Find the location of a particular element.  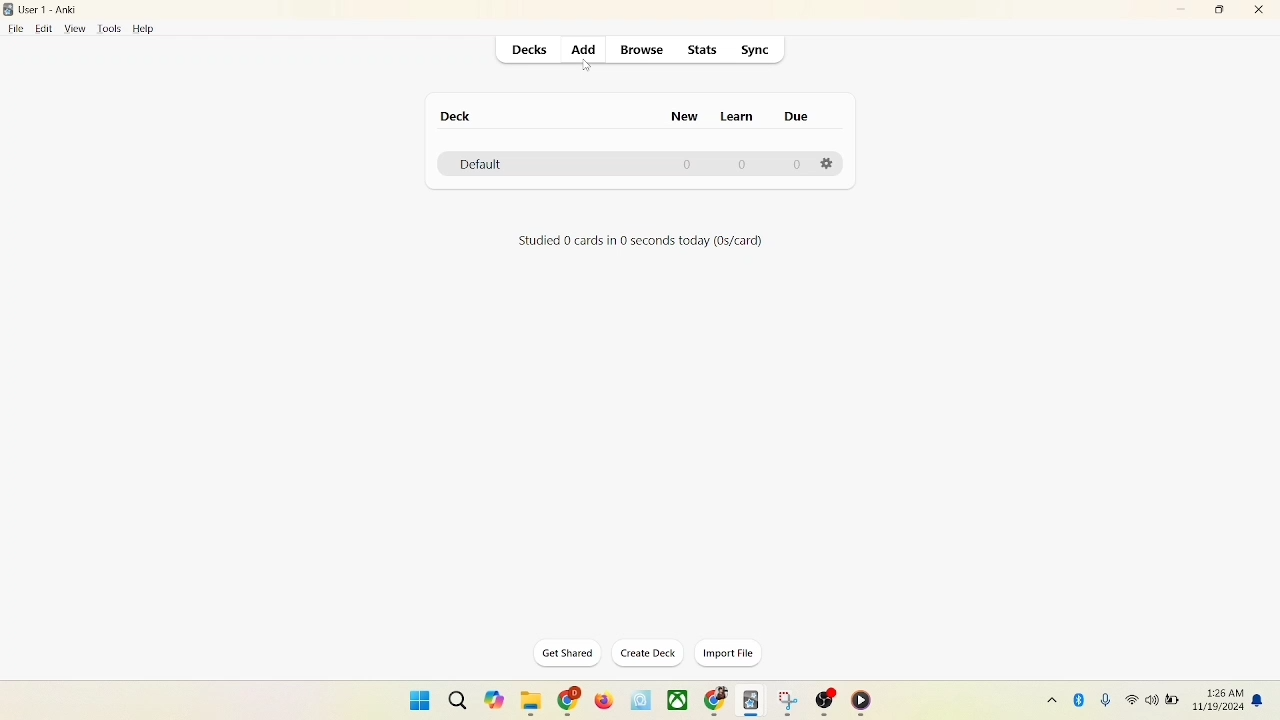

microphone is located at coordinates (1102, 698).